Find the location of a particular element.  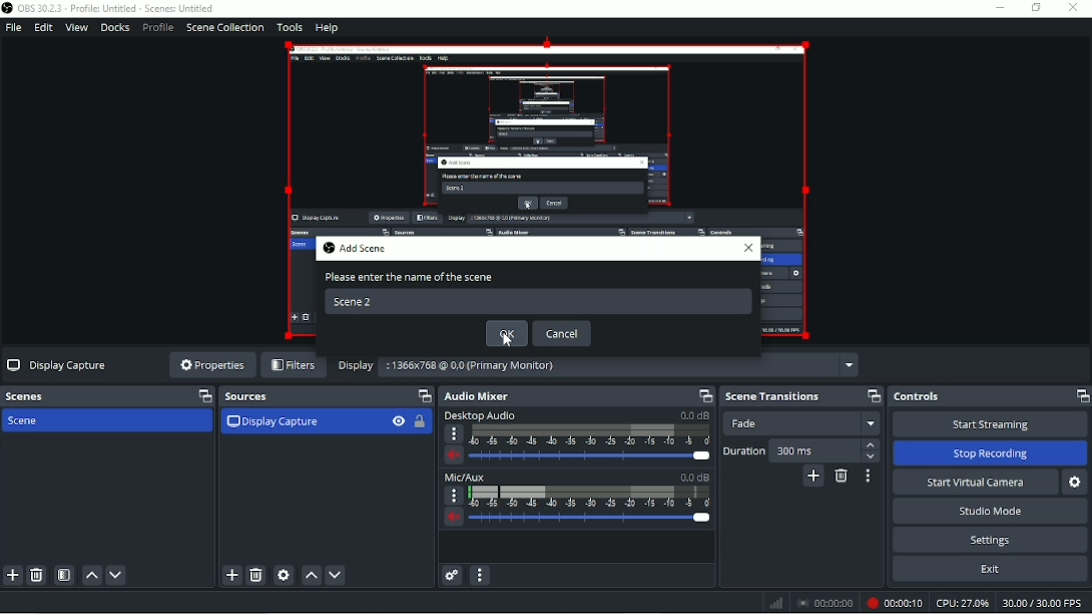

CPU: 20.8% is located at coordinates (962, 603).